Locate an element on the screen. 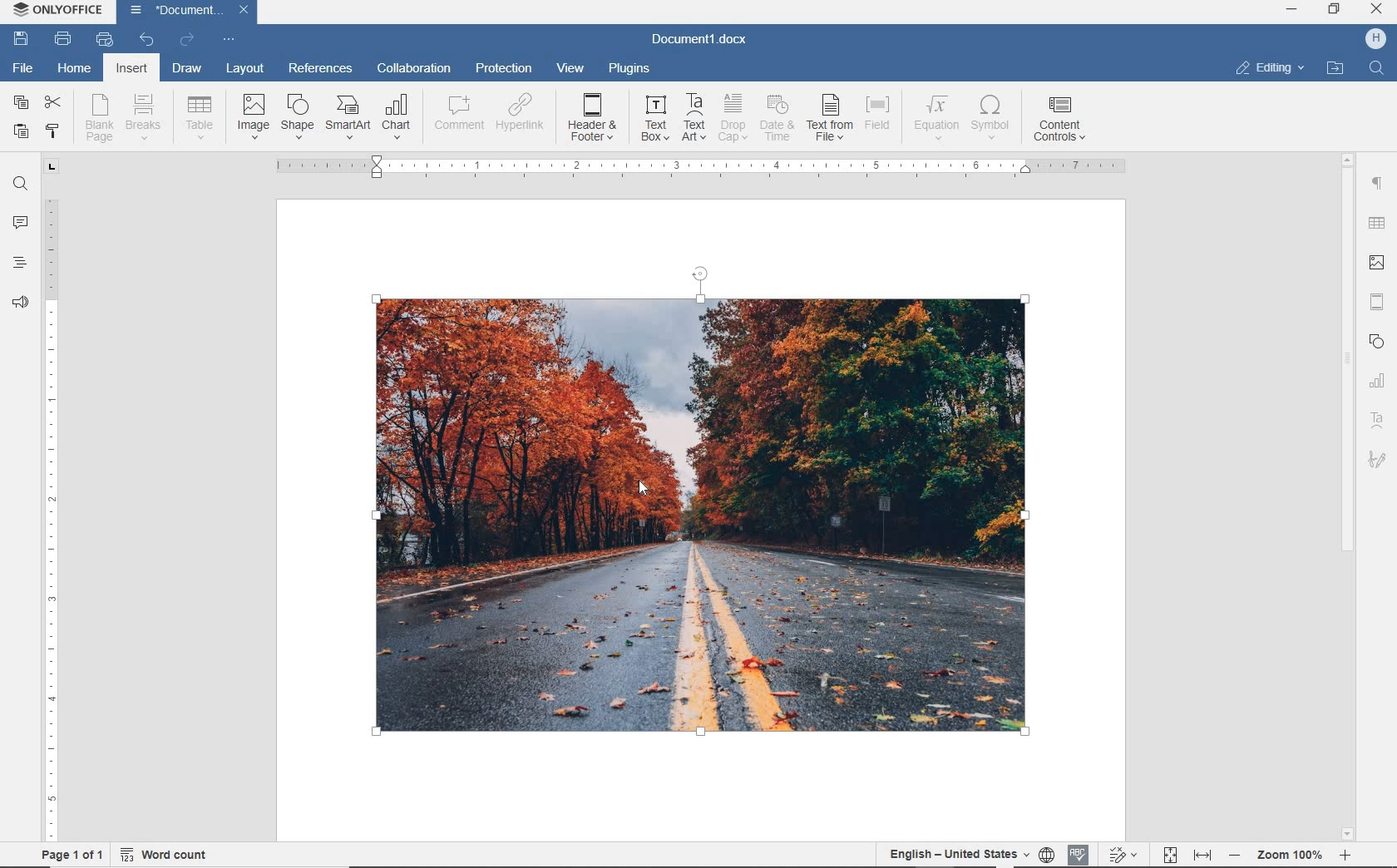 The height and width of the screenshot is (868, 1397). H (user account) is located at coordinates (1376, 38).